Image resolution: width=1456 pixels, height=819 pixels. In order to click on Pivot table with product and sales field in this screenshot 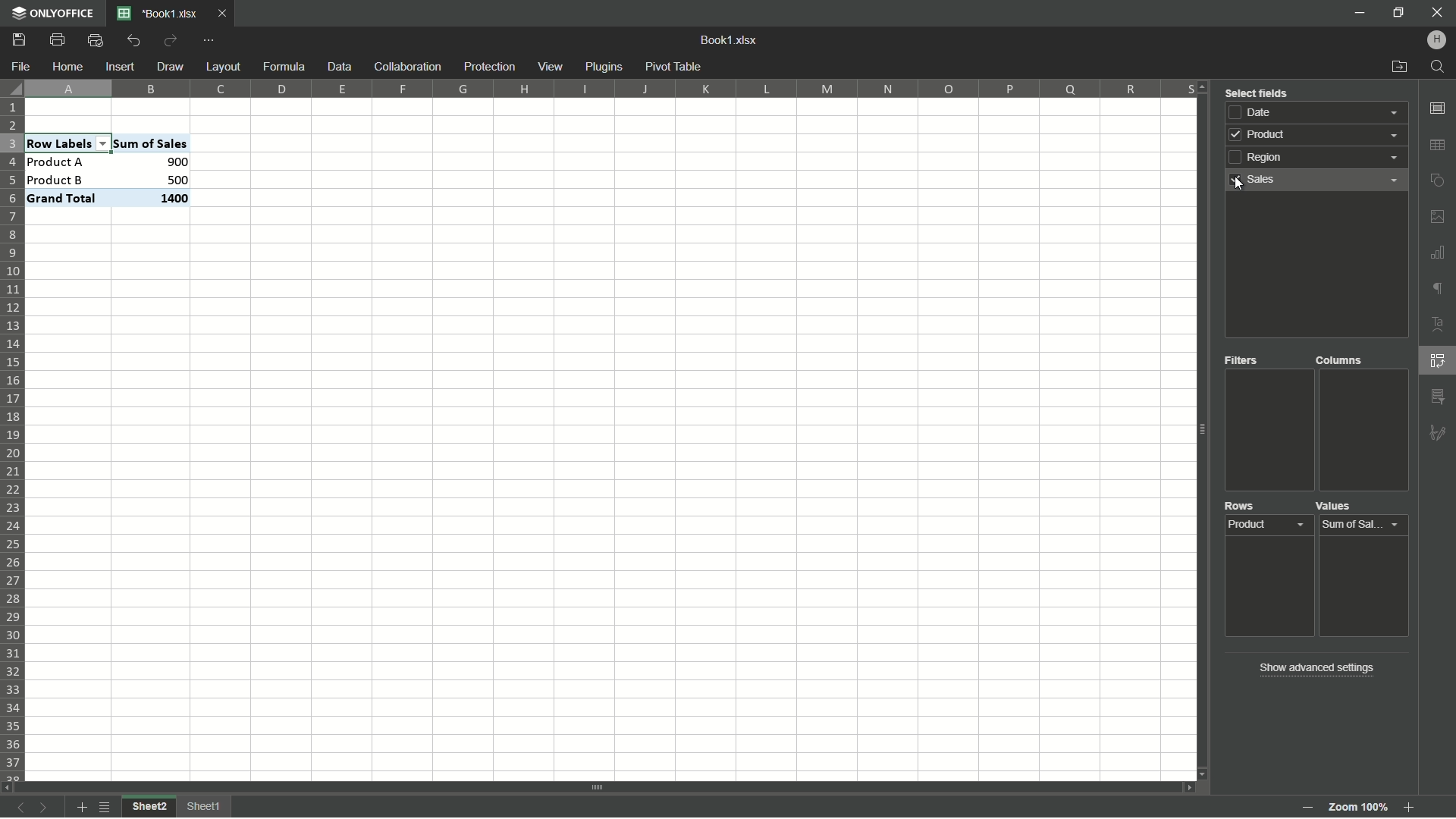, I will do `click(107, 171)`.